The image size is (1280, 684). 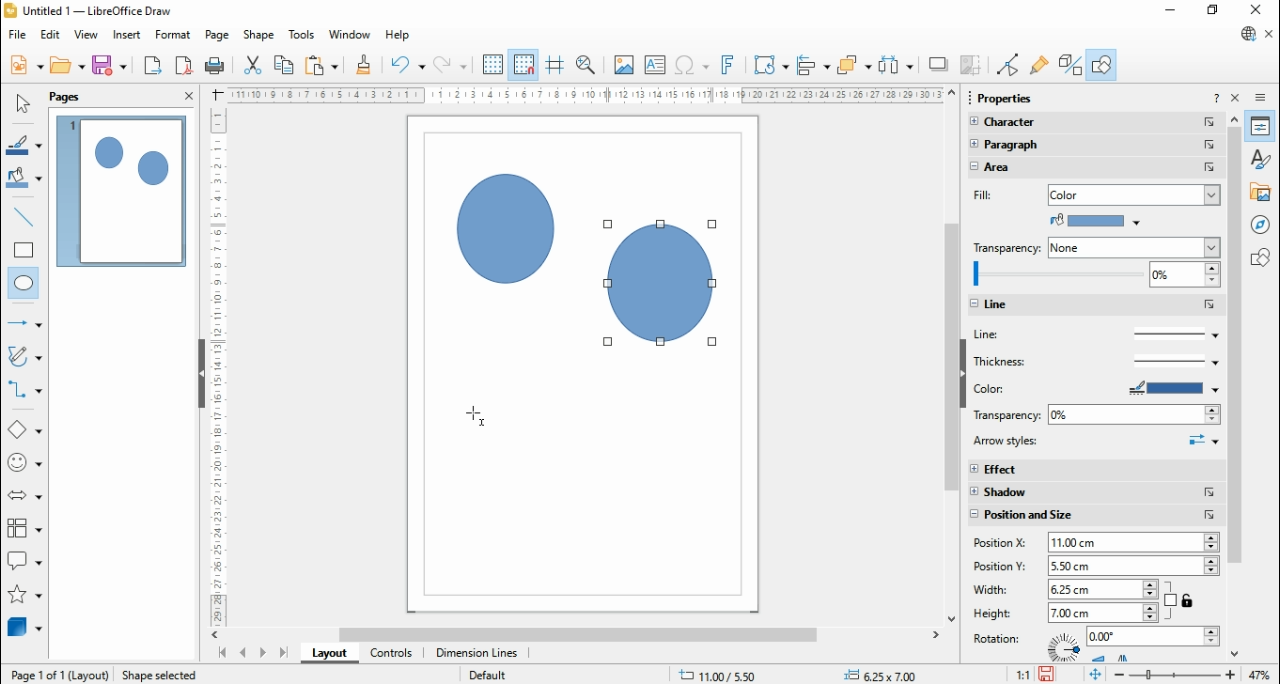 I want to click on transperency, so click(x=1005, y=416).